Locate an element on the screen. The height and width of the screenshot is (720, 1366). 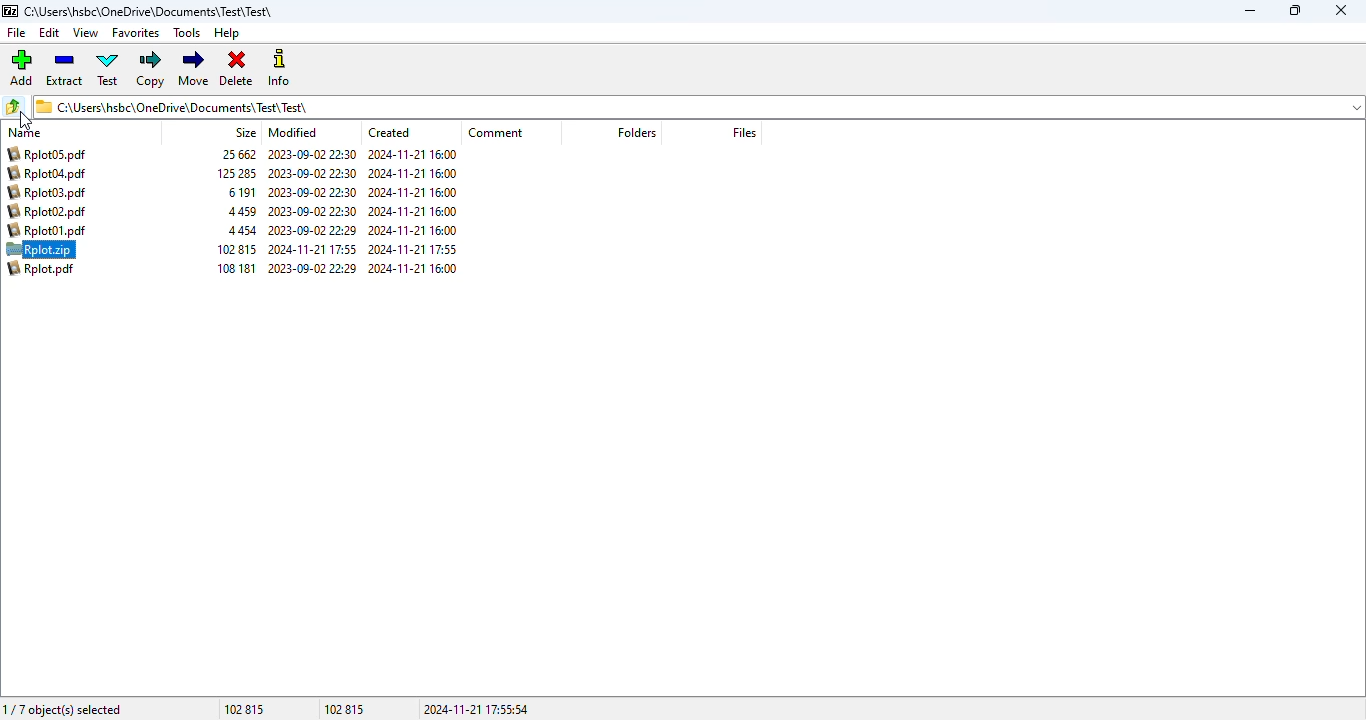
C:\Users\hsbc\OneDrive\Documents\Test\Test\ is located at coordinates (149, 11).